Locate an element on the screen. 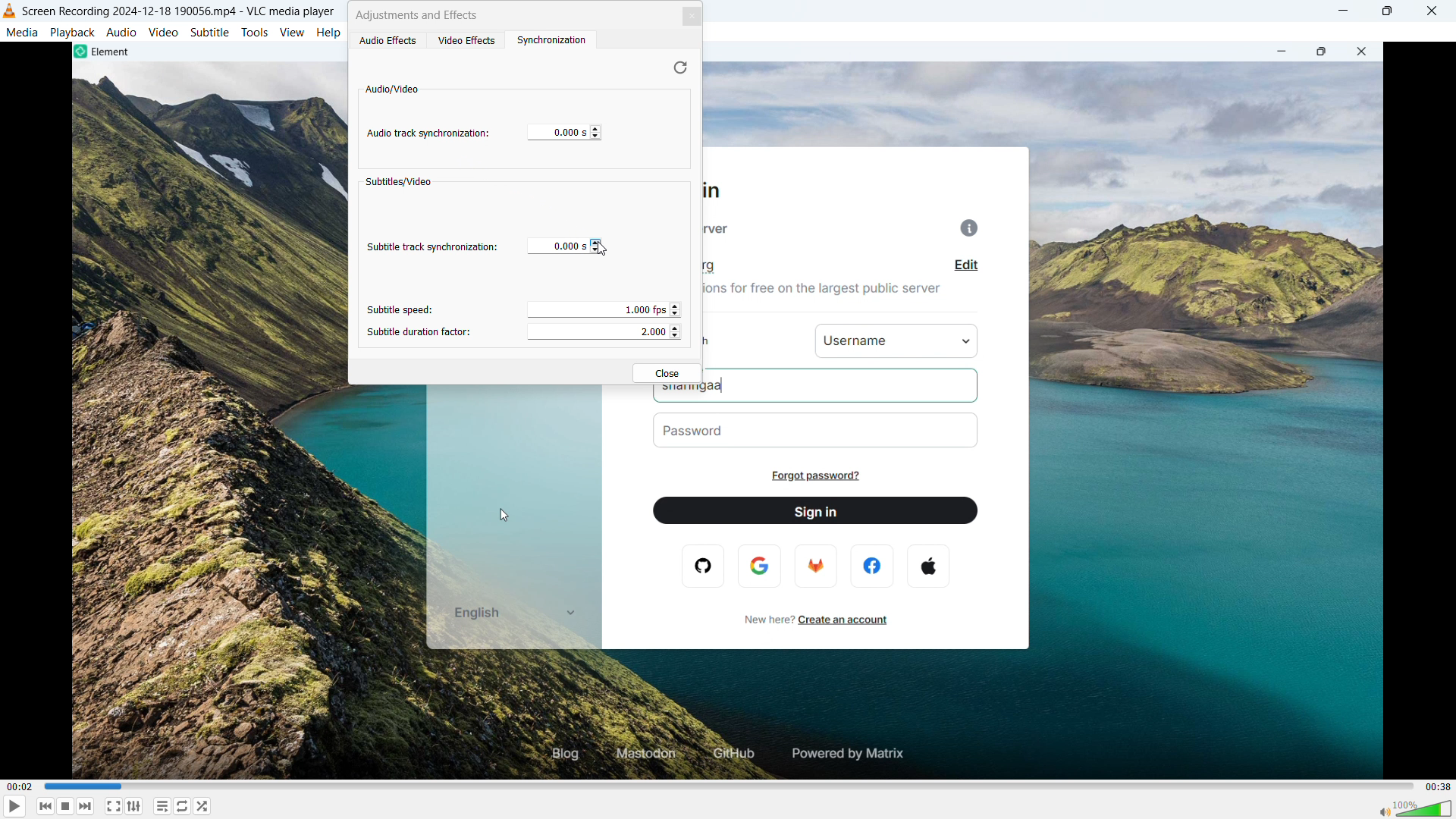  show advanced settings is located at coordinates (136, 806).